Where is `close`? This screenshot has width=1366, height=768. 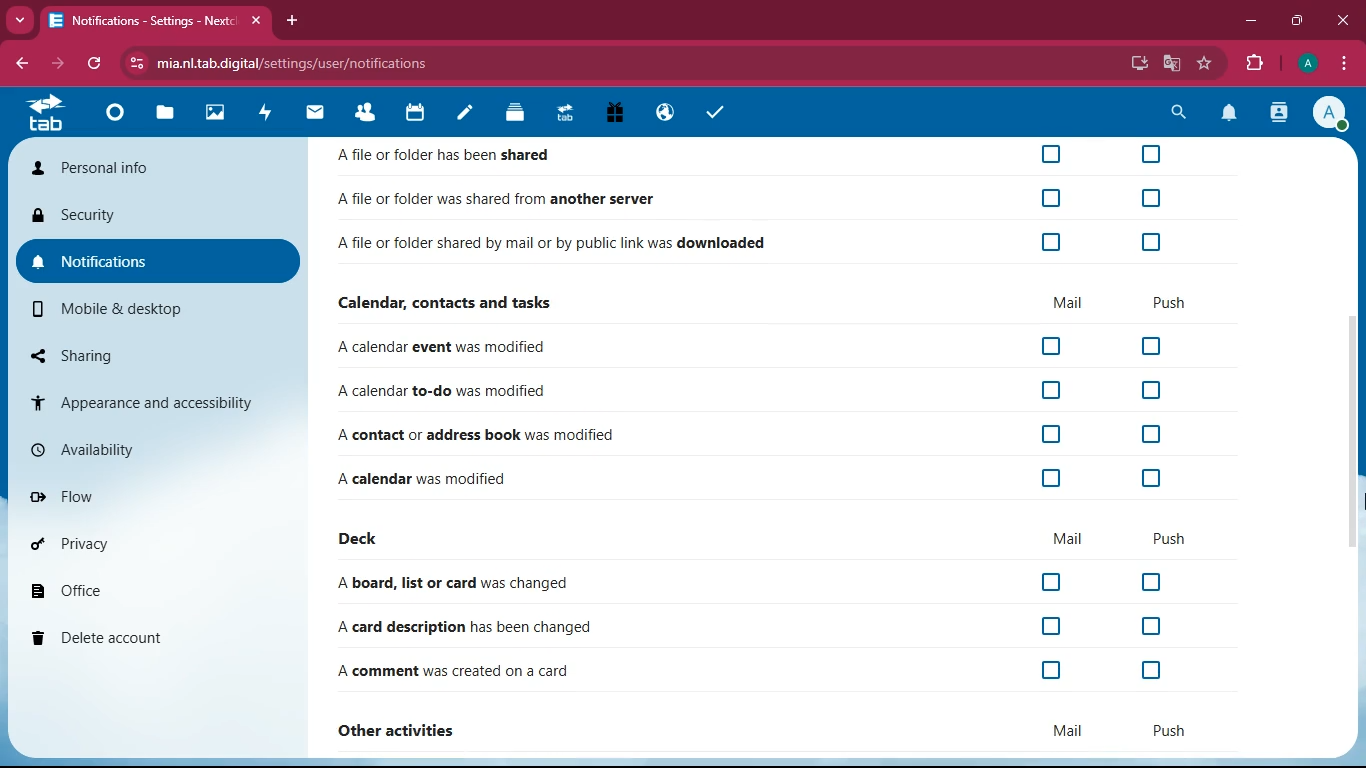 close is located at coordinates (260, 21).